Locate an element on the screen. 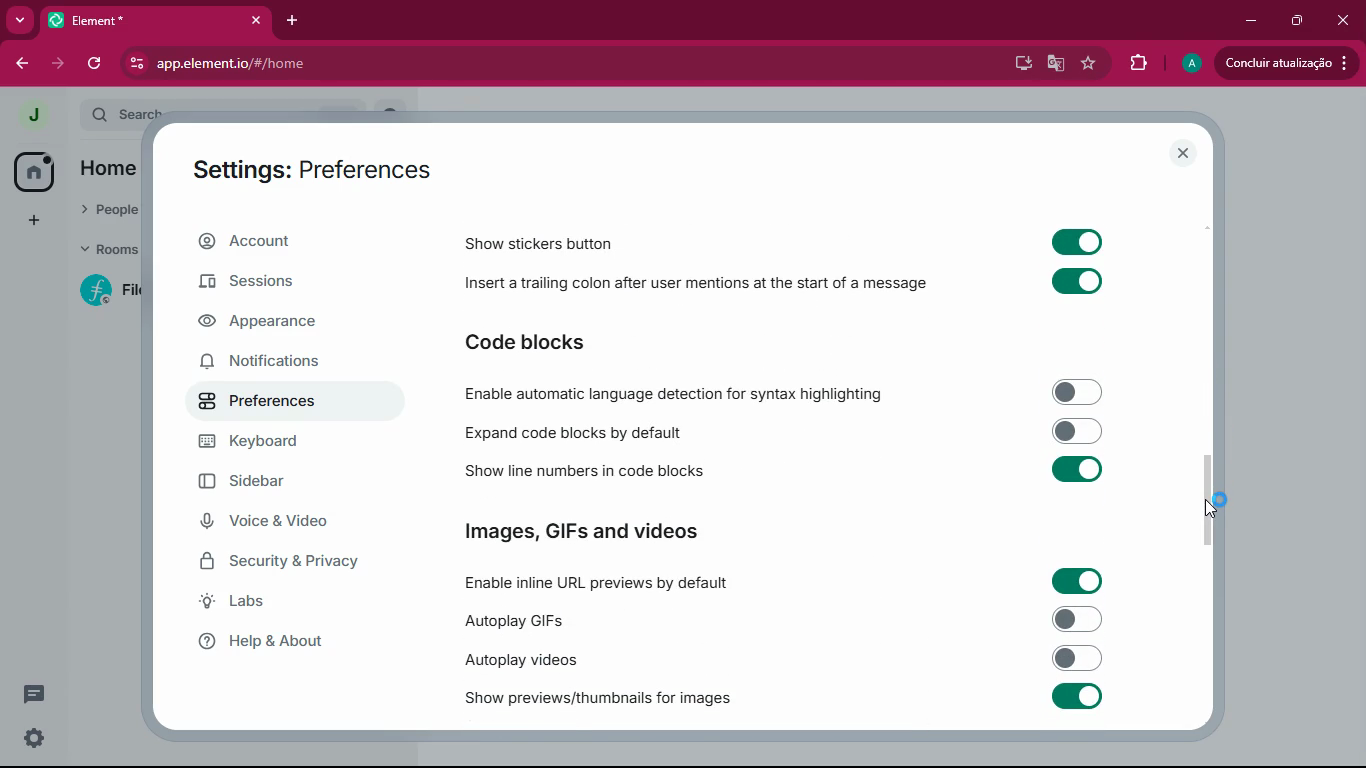 This screenshot has height=768, width=1366. Code blocks is located at coordinates (557, 341).